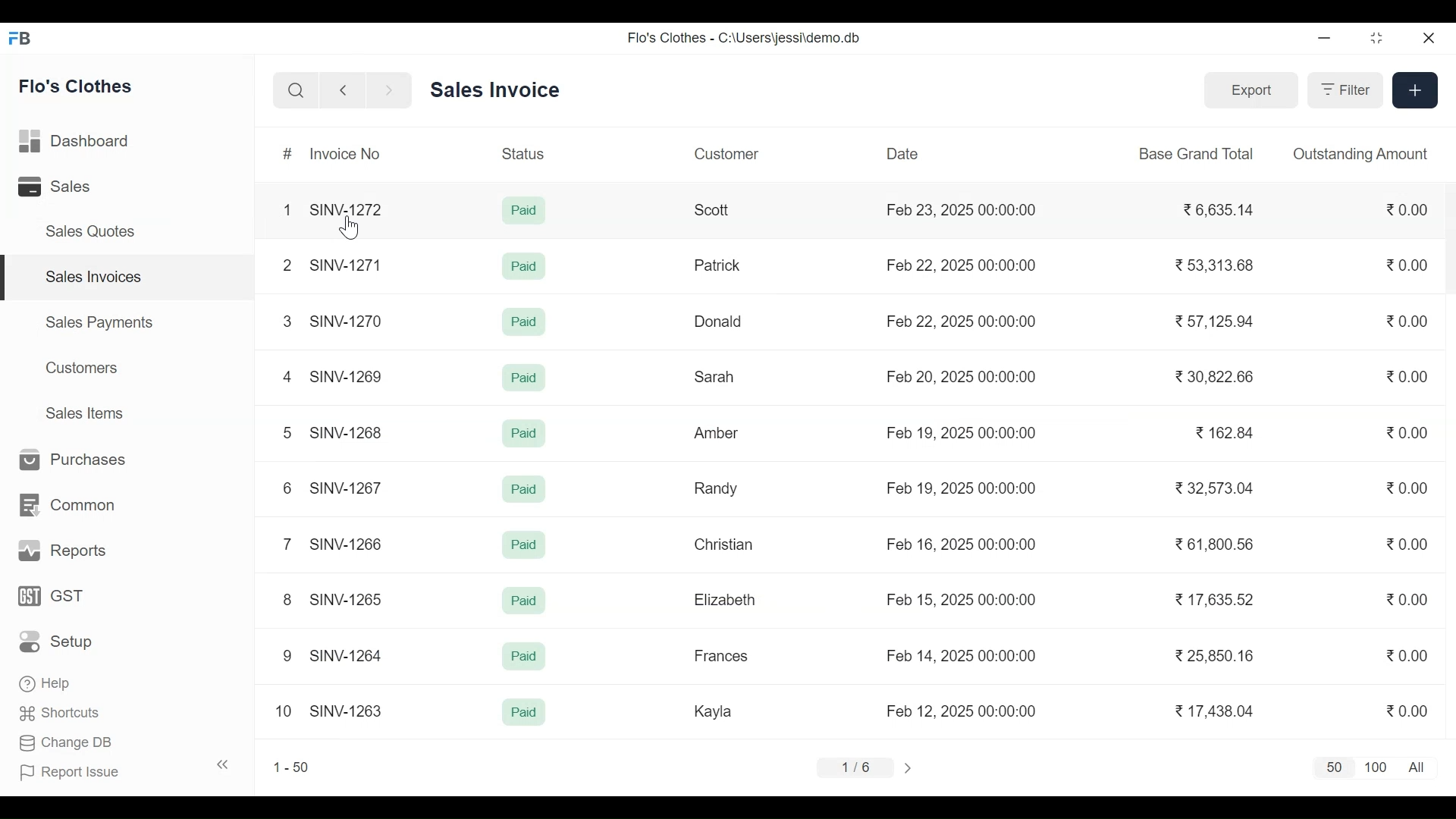  What do you see at coordinates (52, 595) in the screenshot?
I see `GST` at bounding box center [52, 595].